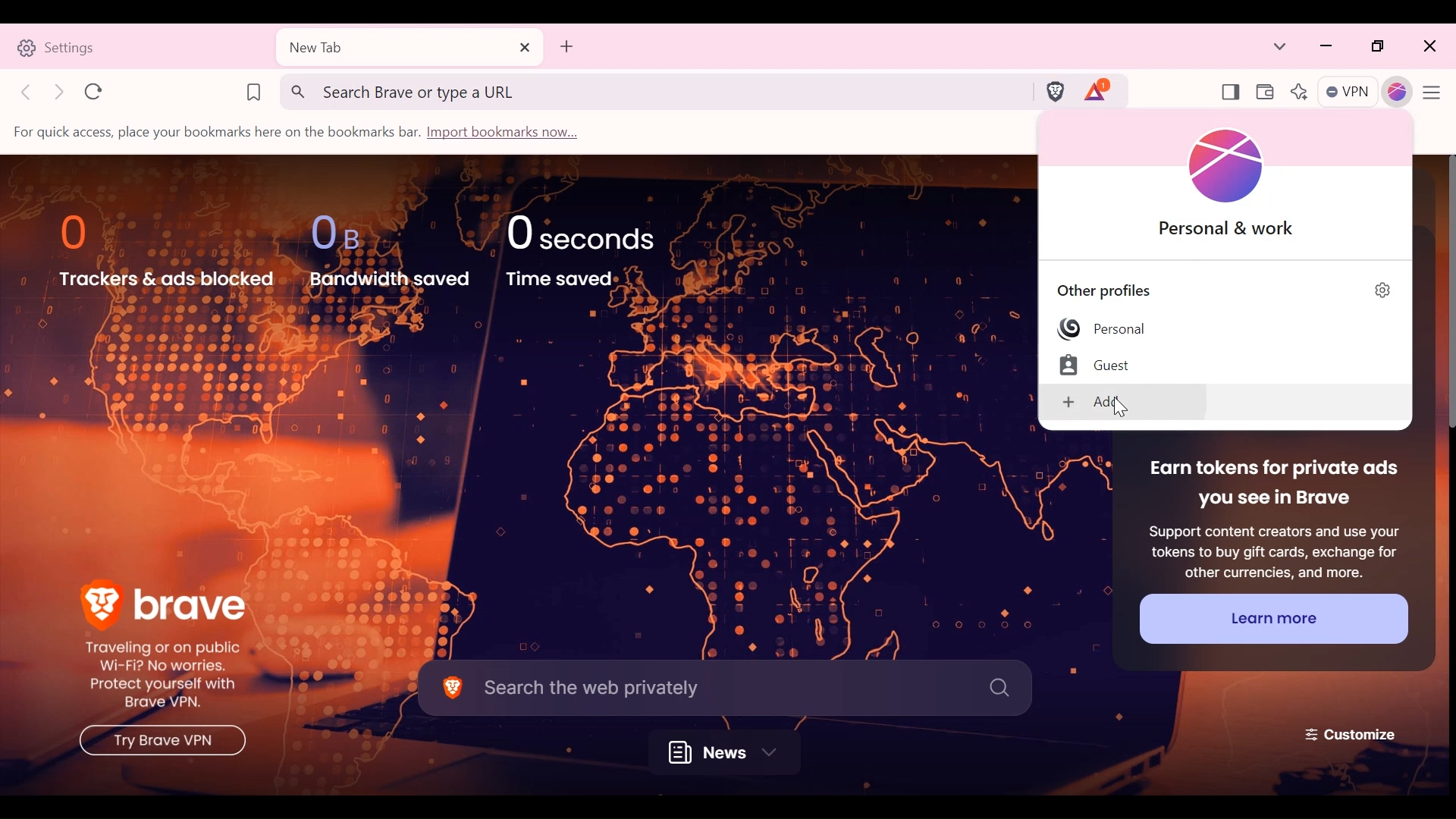 This screenshot has width=1456, height=819. I want to click on Learn more, so click(1272, 618).